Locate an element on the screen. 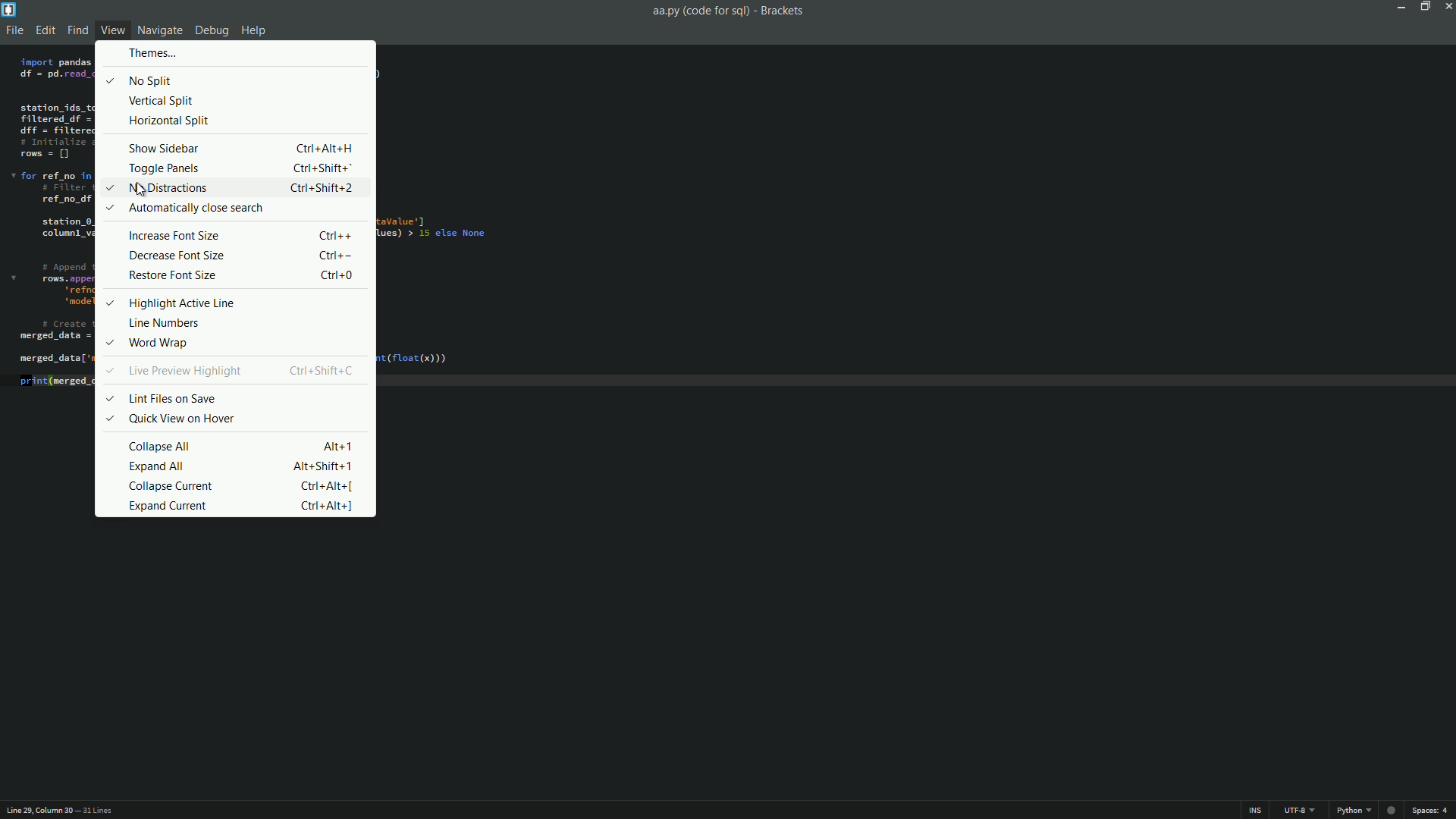  No split is located at coordinates (142, 78).